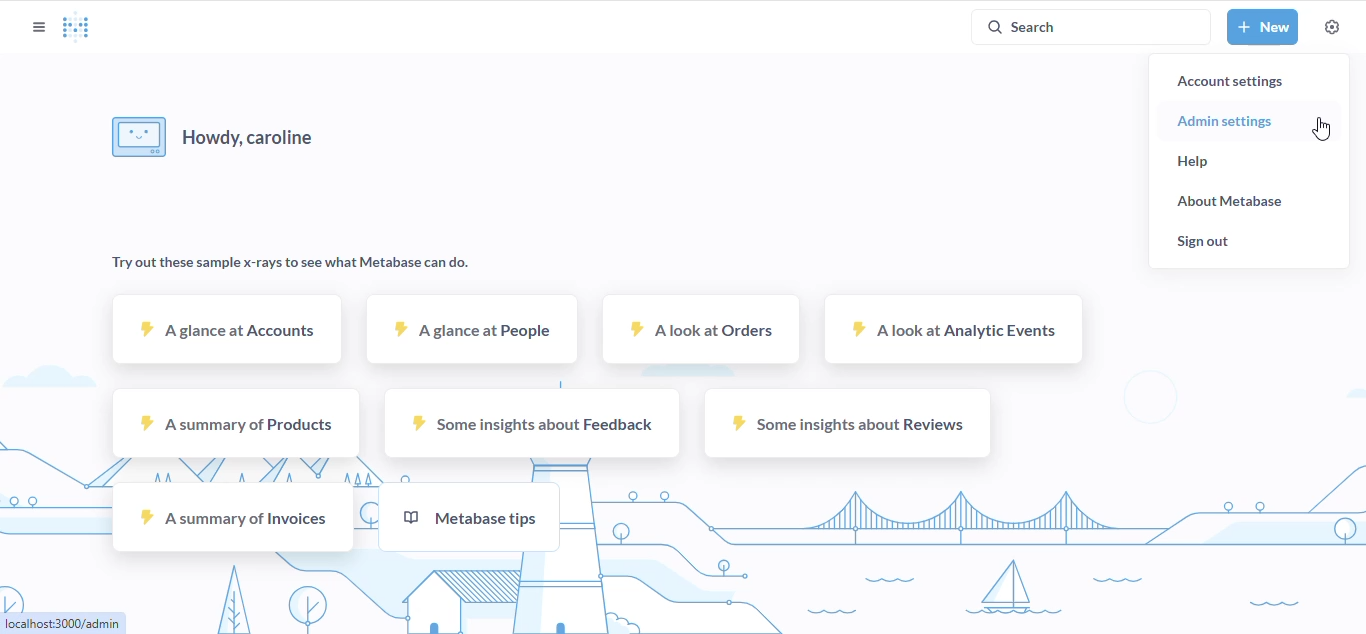  I want to click on a summary of invoices, so click(231, 516).